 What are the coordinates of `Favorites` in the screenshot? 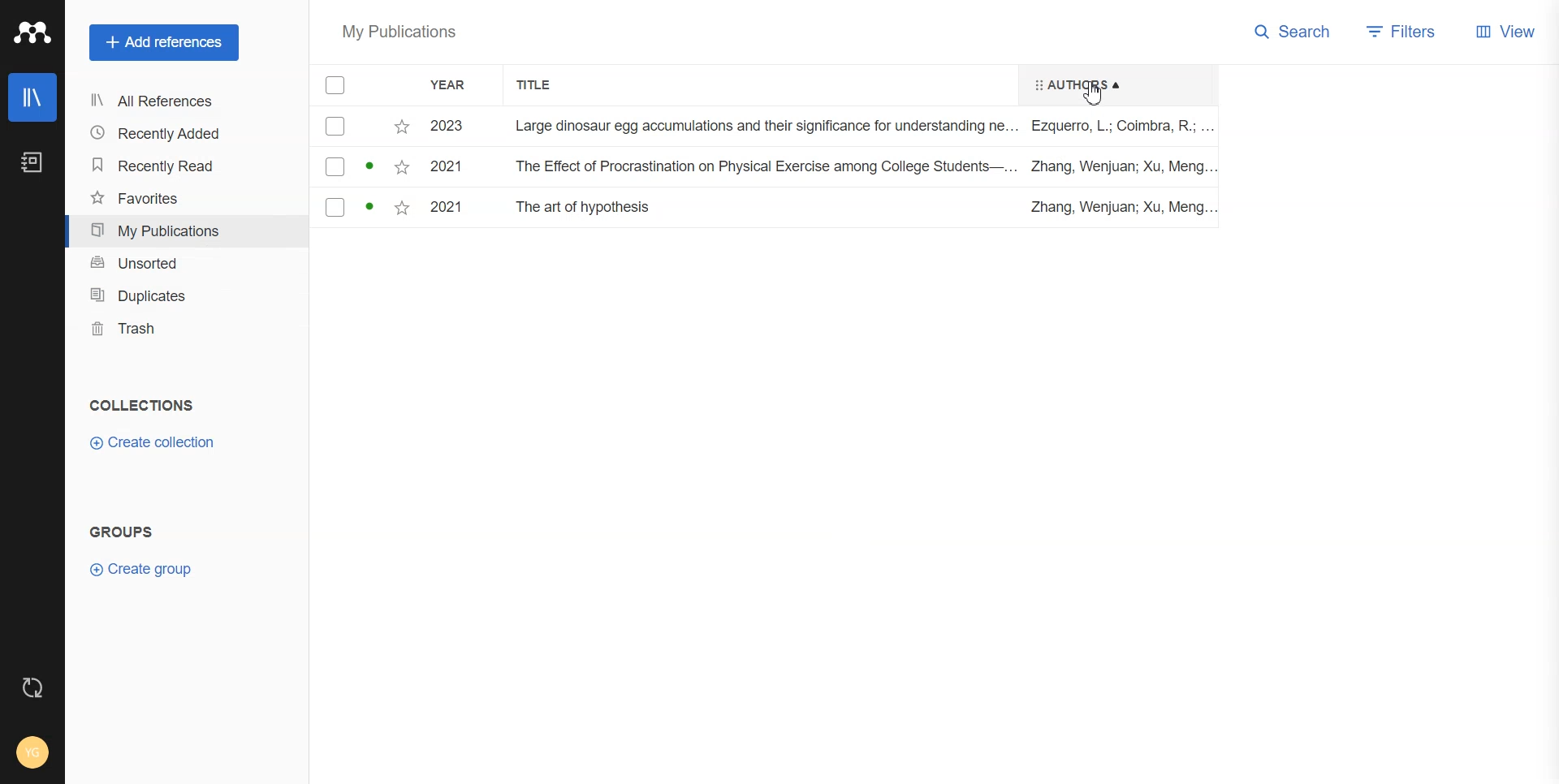 It's located at (180, 199).